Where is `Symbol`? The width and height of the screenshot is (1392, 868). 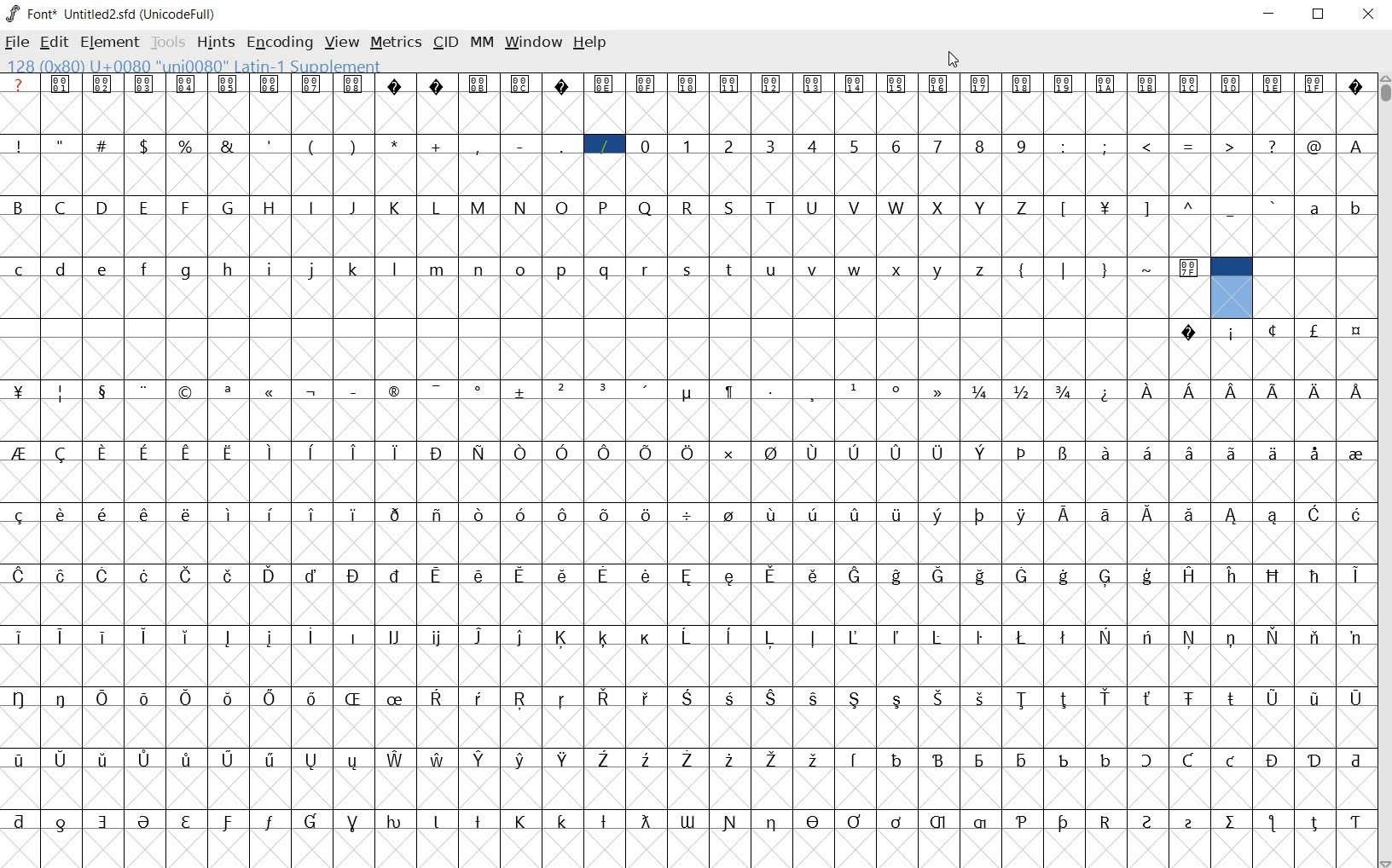
Symbol is located at coordinates (1106, 821).